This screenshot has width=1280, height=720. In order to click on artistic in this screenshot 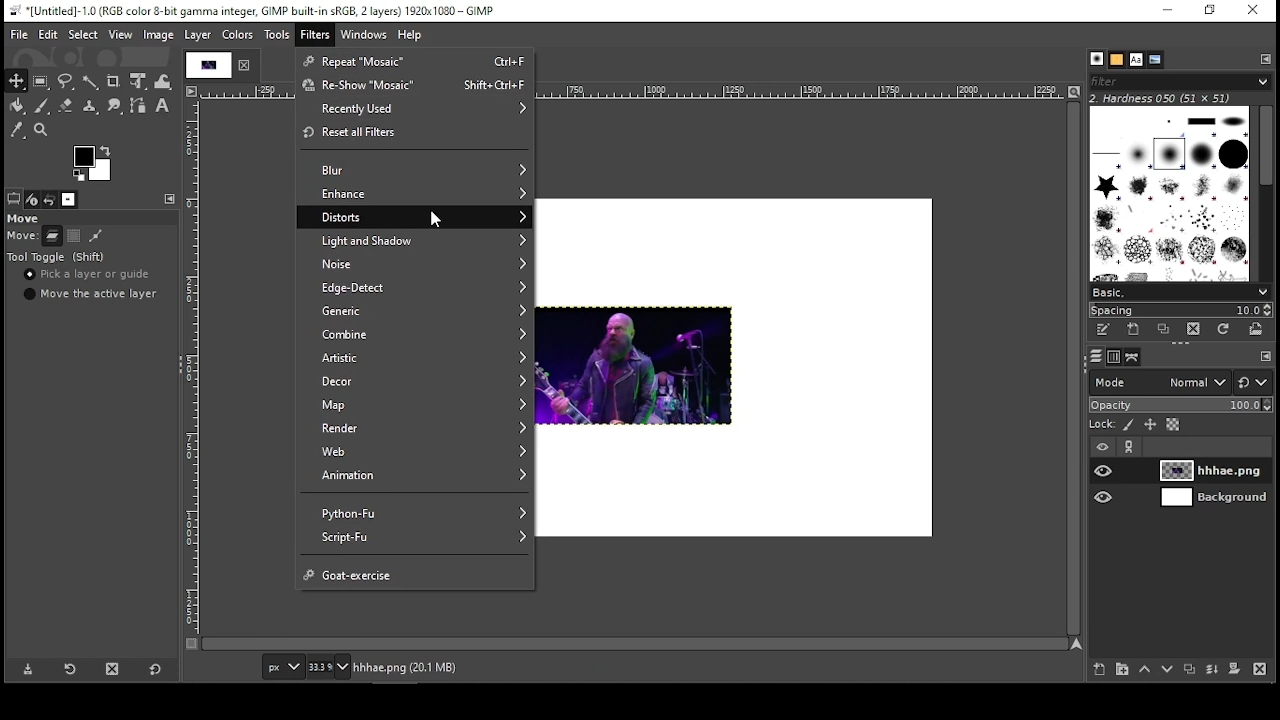, I will do `click(416, 357)`.